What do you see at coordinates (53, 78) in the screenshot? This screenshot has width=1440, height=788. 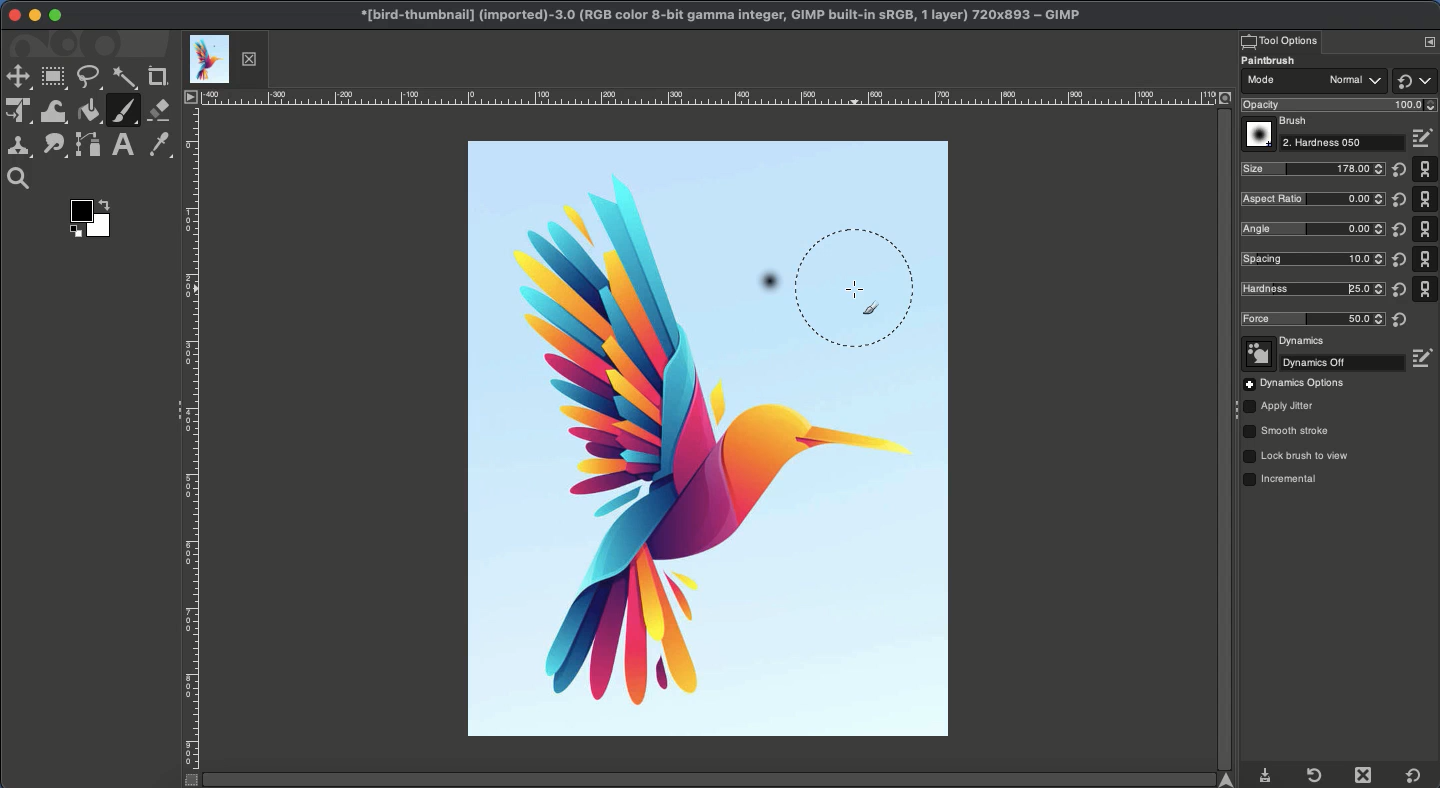 I see `Rectangular selector` at bounding box center [53, 78].